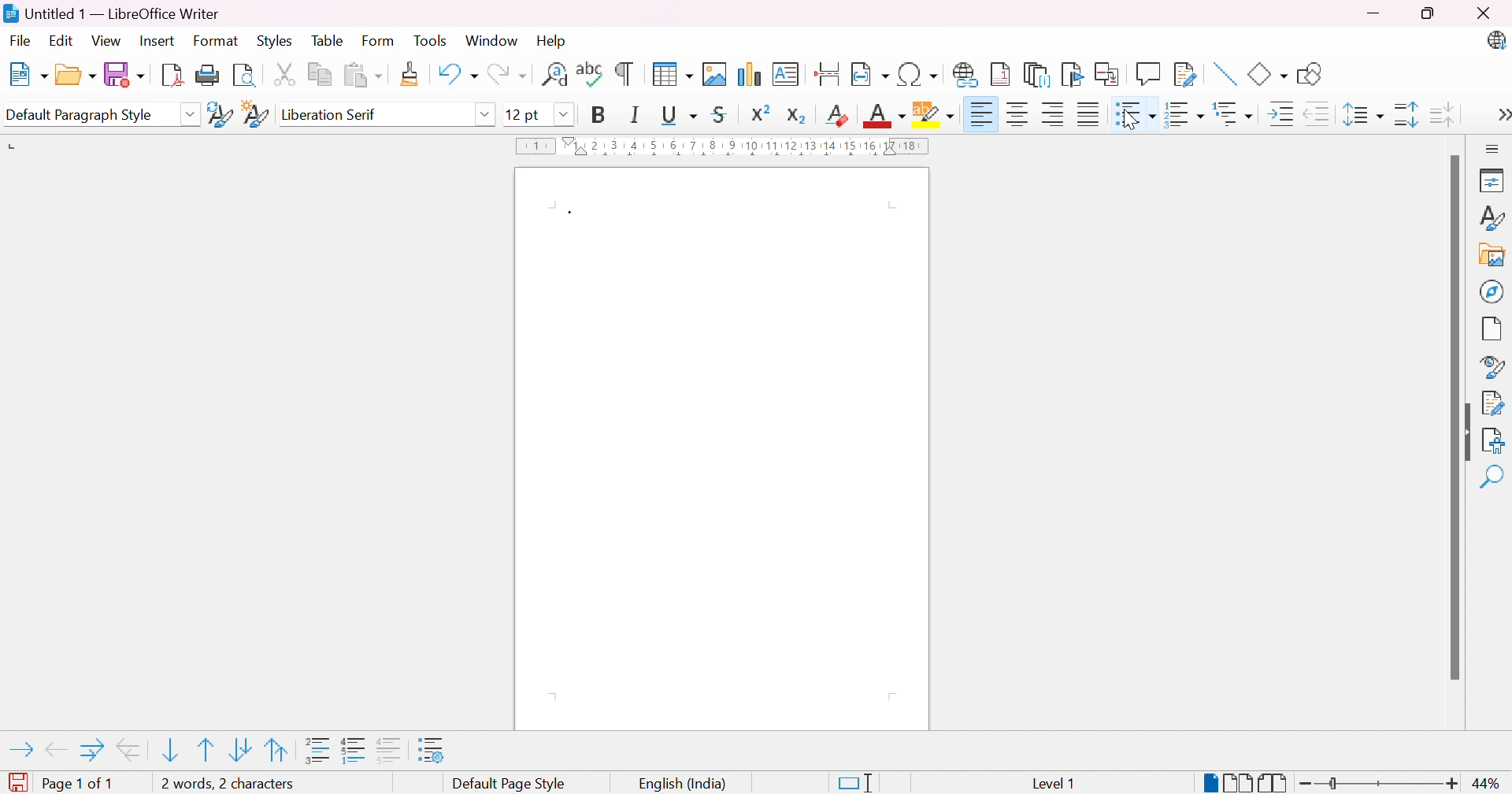 The image size is (1512, 794). I want to click on Print, so click(212, 76).